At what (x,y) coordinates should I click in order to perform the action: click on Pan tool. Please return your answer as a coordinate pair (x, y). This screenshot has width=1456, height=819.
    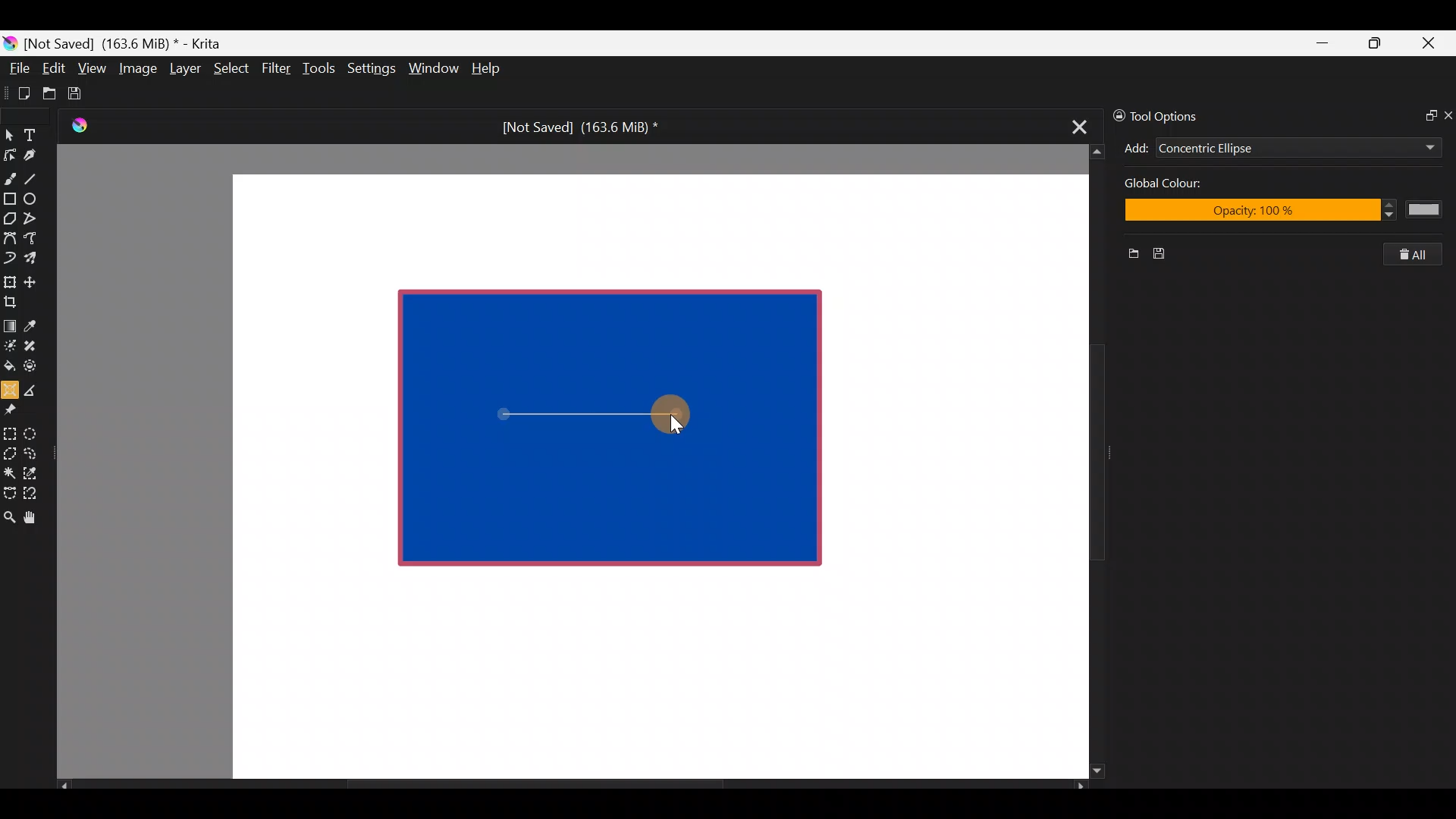
    Looking at the image, I should click on (36, 518).